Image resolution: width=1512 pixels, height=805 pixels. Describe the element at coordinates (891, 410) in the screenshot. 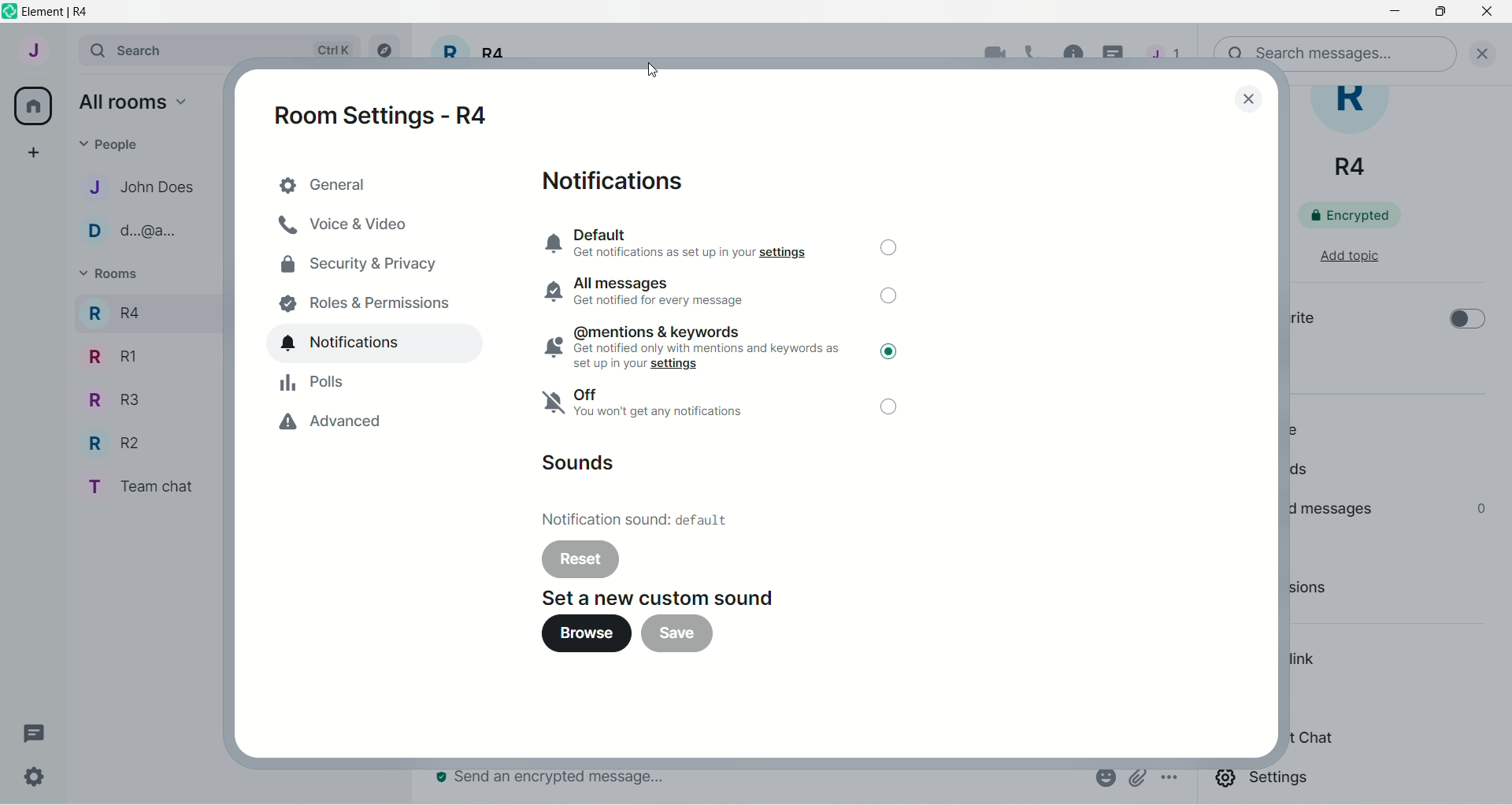

I see `Toggle ` at that location.